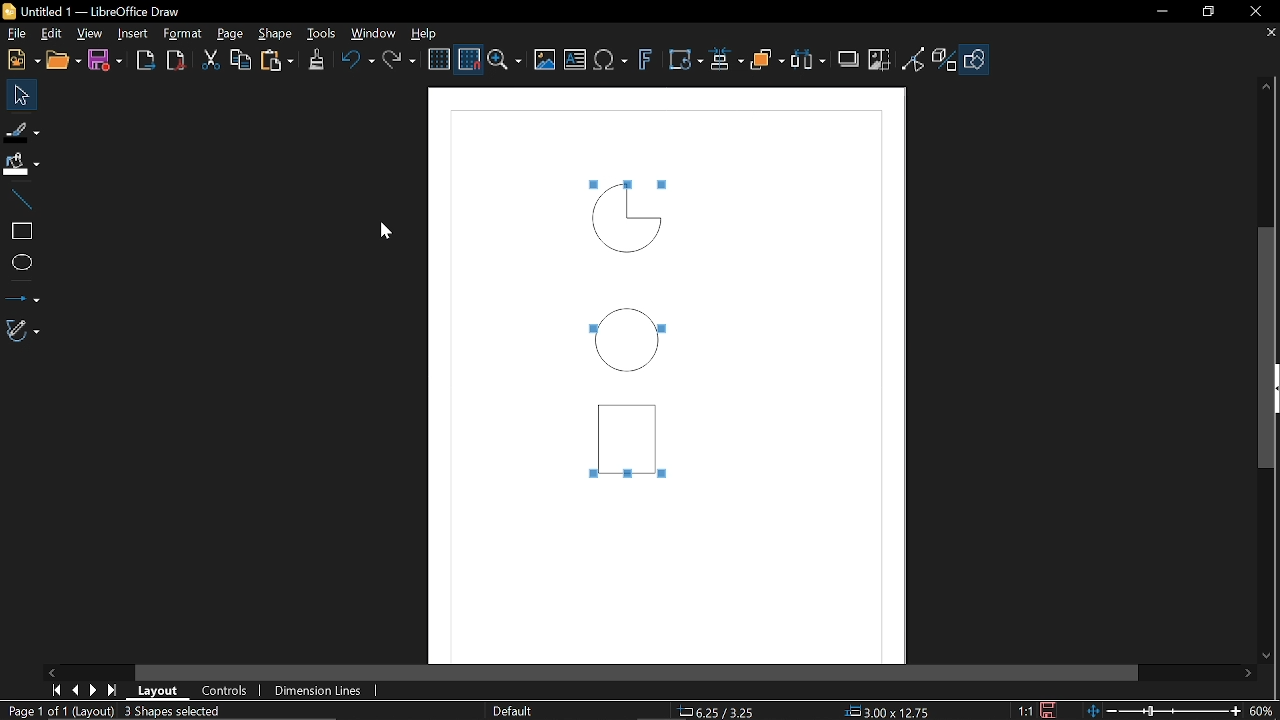  Describe the element at coordinates (913, 58) in the screenshot. I see `Toggle view` at that location.